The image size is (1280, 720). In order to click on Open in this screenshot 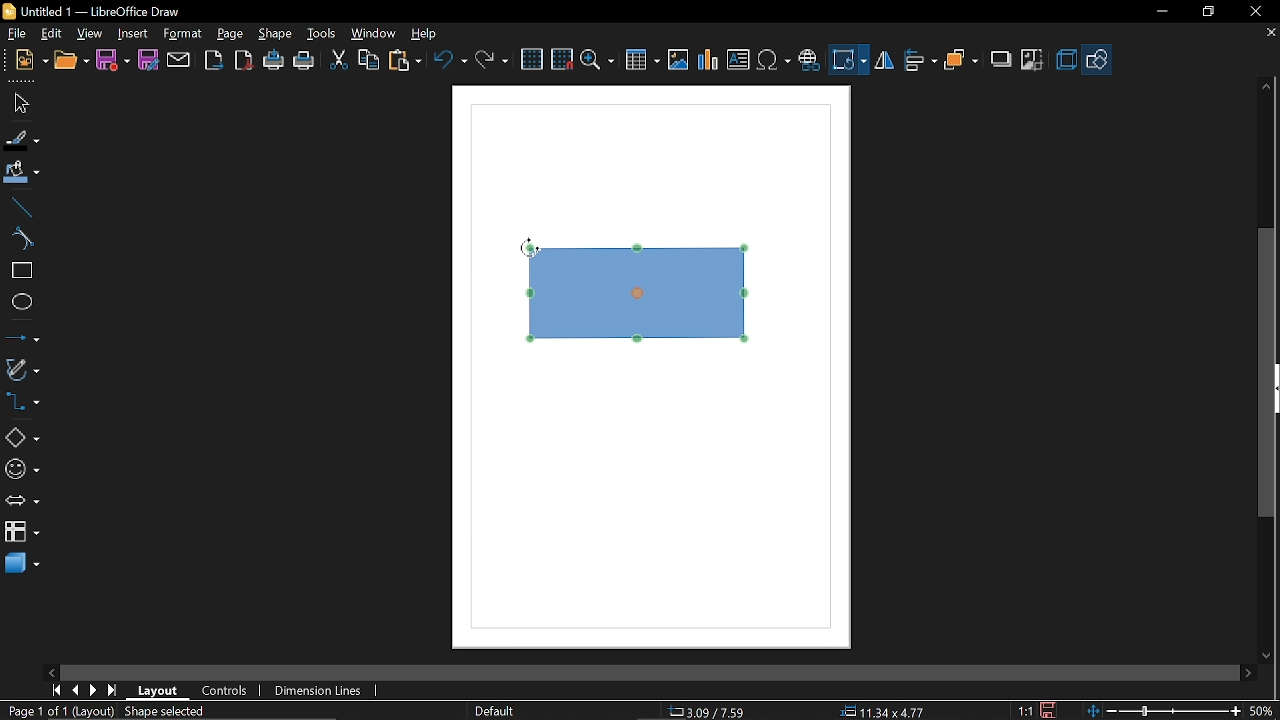, I will do `click(71, 61)`.